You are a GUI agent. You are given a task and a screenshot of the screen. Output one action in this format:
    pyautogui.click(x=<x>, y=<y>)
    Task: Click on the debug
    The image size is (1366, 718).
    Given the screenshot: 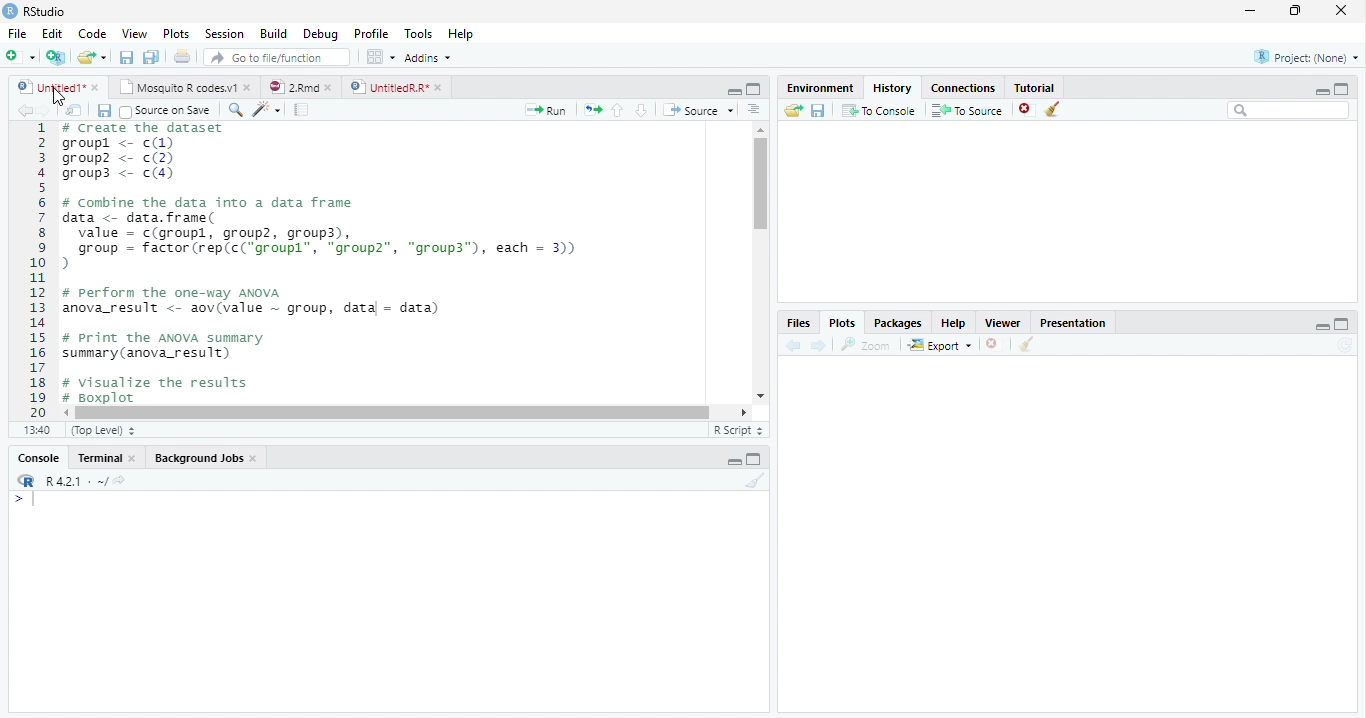 What is the action you would take?
    pyautogui.click(x=323, y=35)
    